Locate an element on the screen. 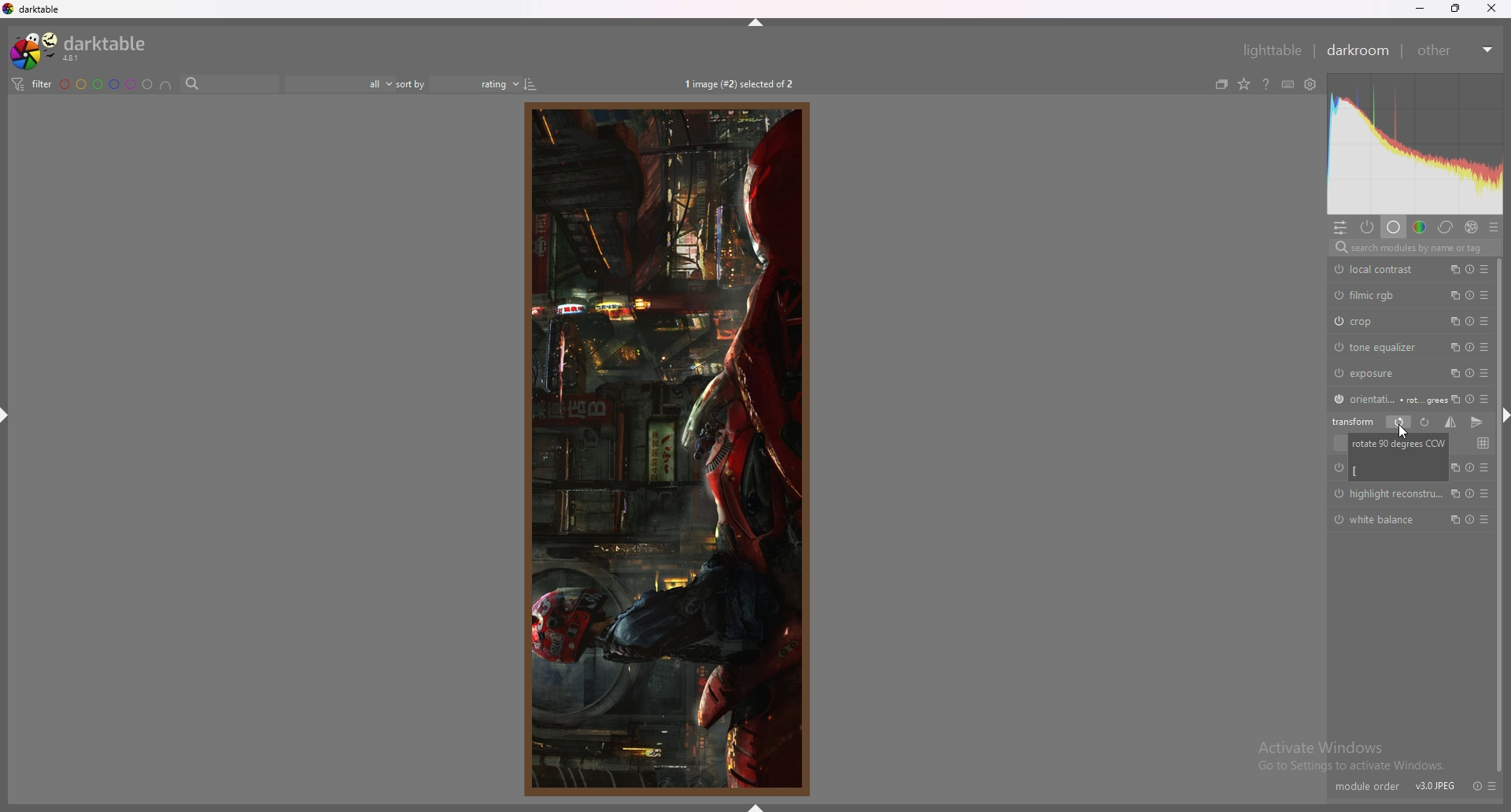 This screenshot has width=1511, height=812. multiple instances action is located at coordinates (1451, 269).